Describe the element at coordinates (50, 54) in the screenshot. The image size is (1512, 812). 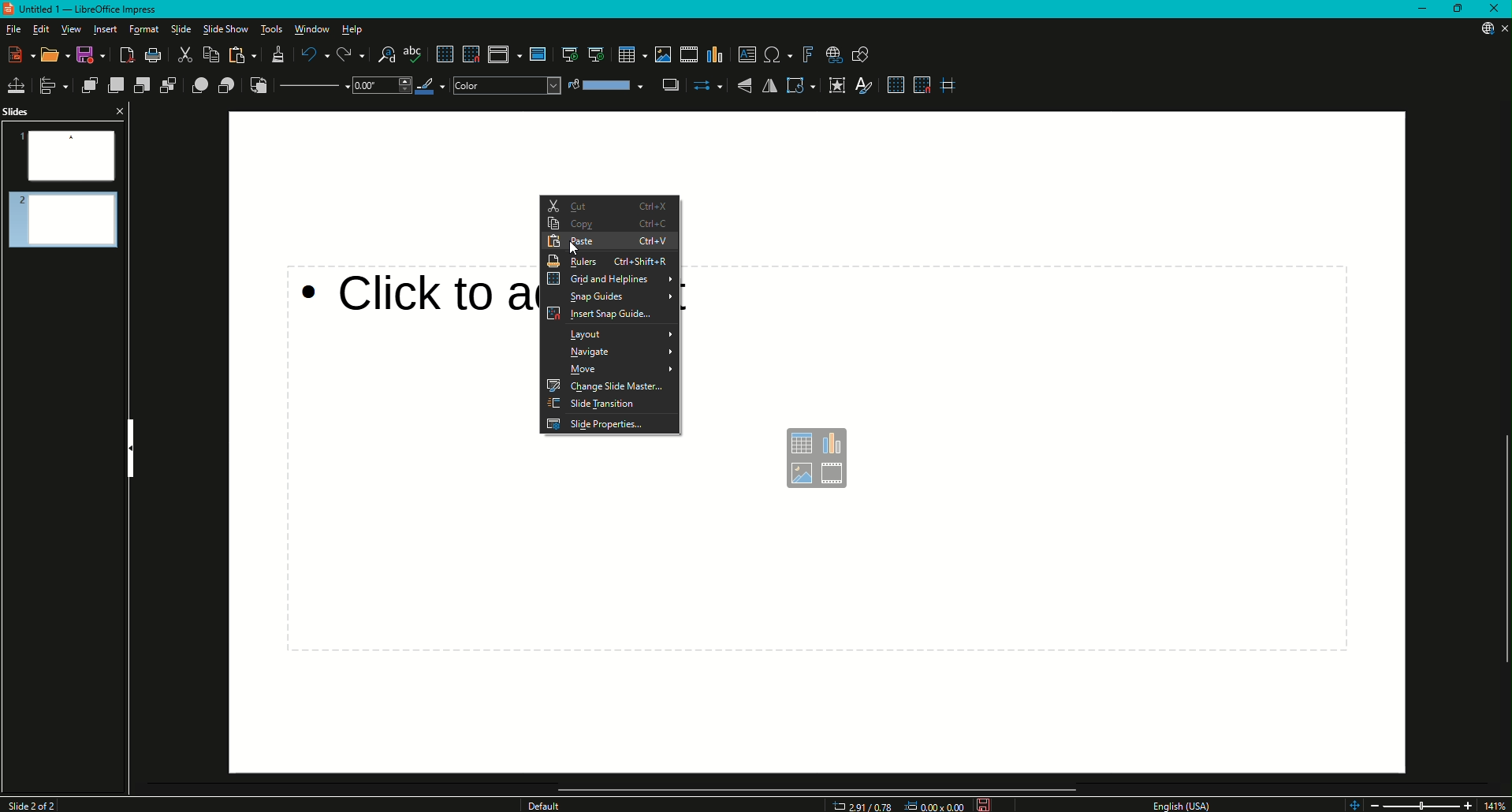
I see `Open` at that location.